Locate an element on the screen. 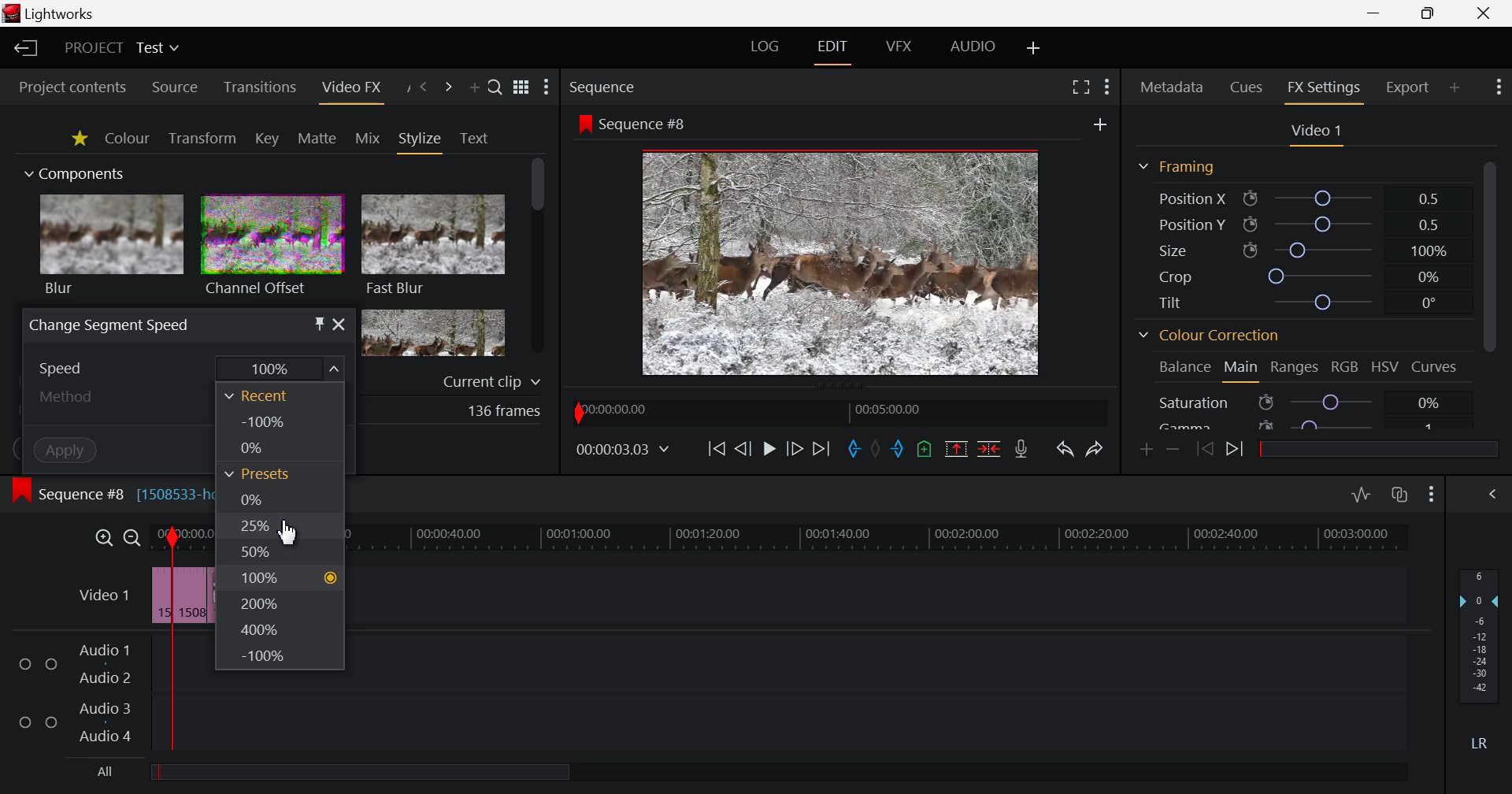  Stylize is located at coordinates (421, 141).